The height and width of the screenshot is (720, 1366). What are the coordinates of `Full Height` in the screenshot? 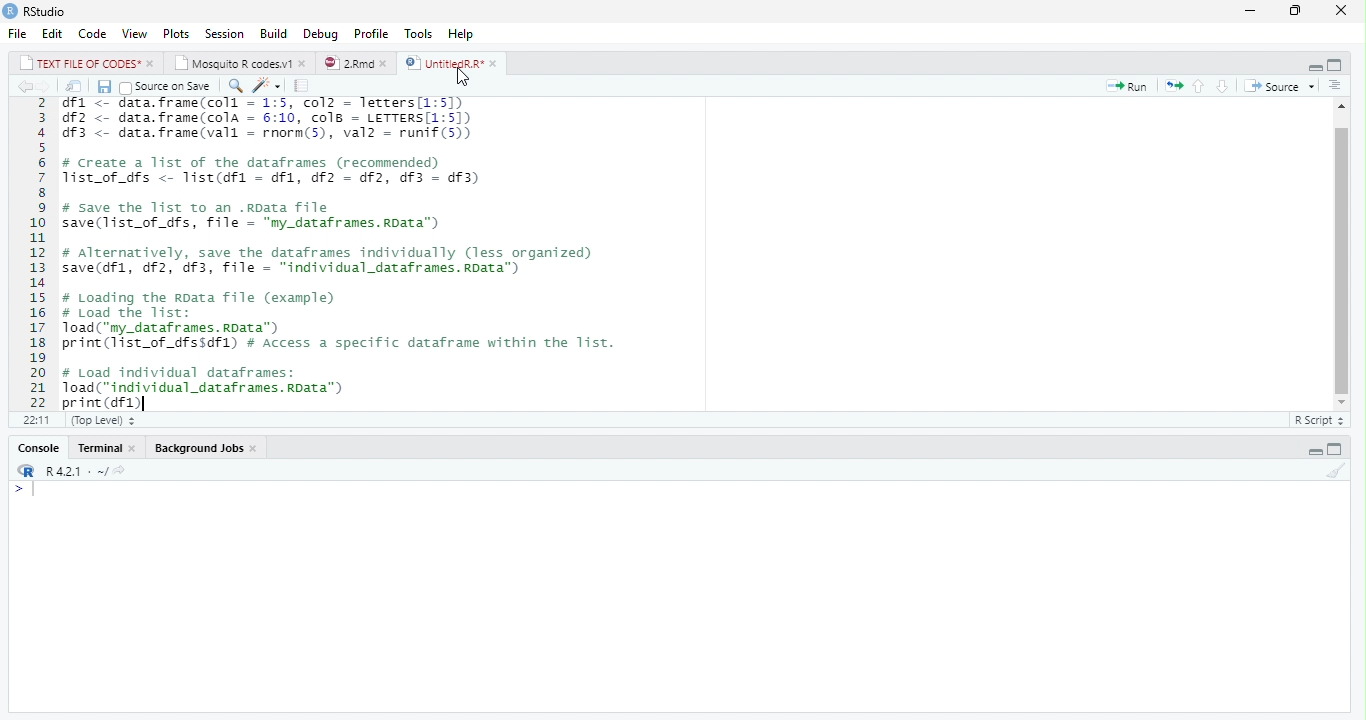 It's located at (1338, 64).